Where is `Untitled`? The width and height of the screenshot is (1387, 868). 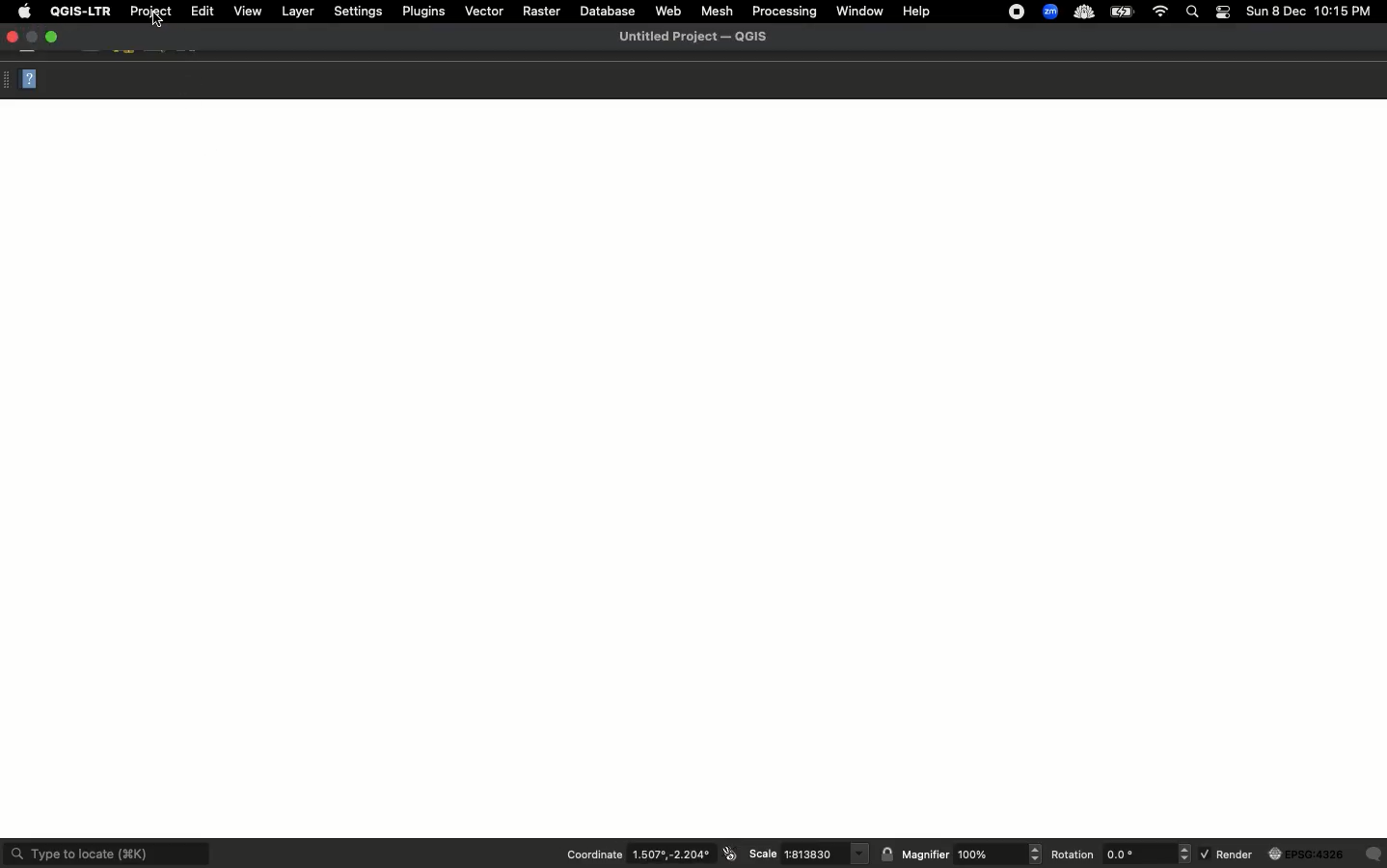 Untitled is located at coordinates (693, 38).